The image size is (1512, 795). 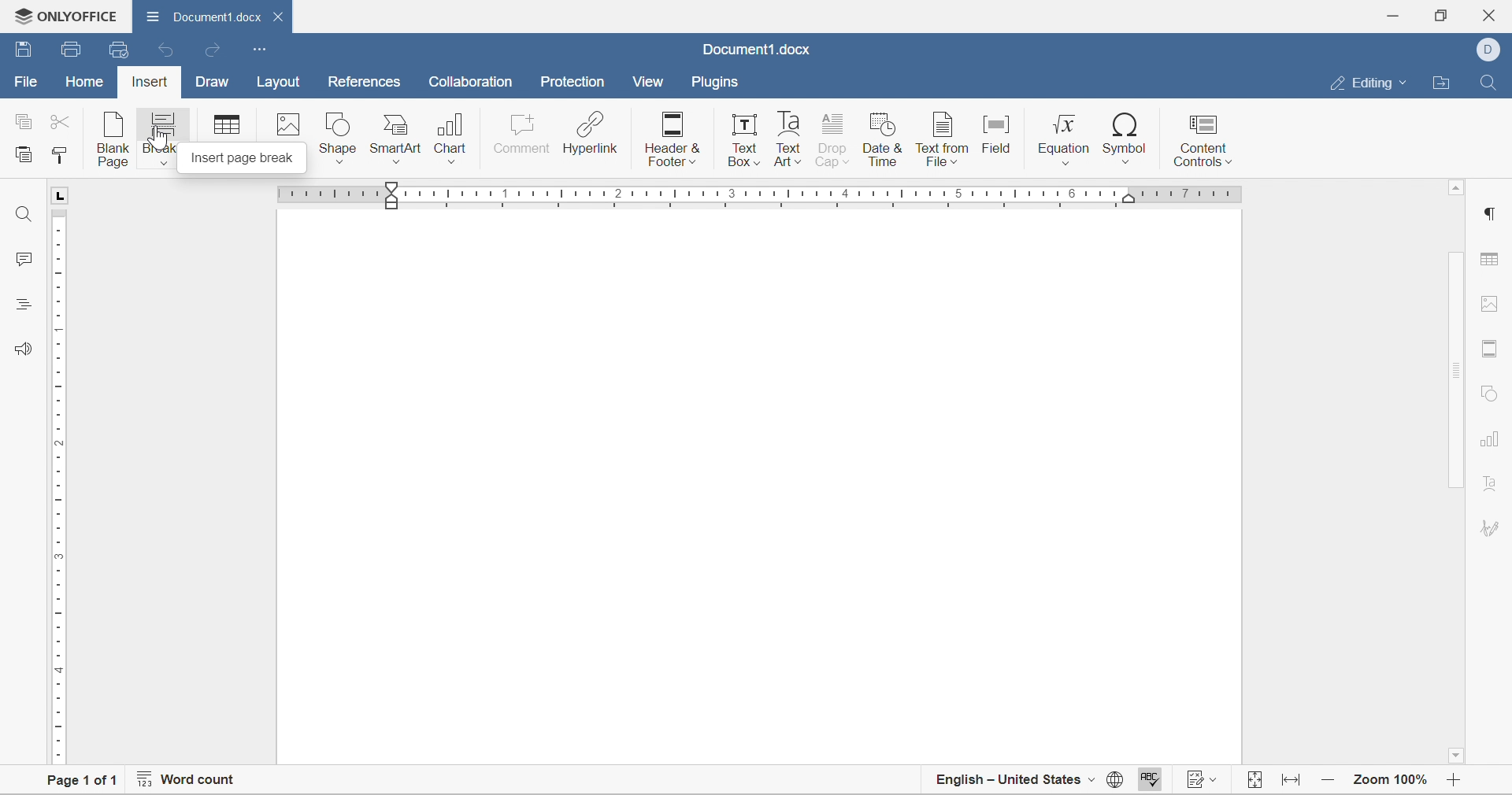 I want to click on Equation, so click(x=1065, y=139).